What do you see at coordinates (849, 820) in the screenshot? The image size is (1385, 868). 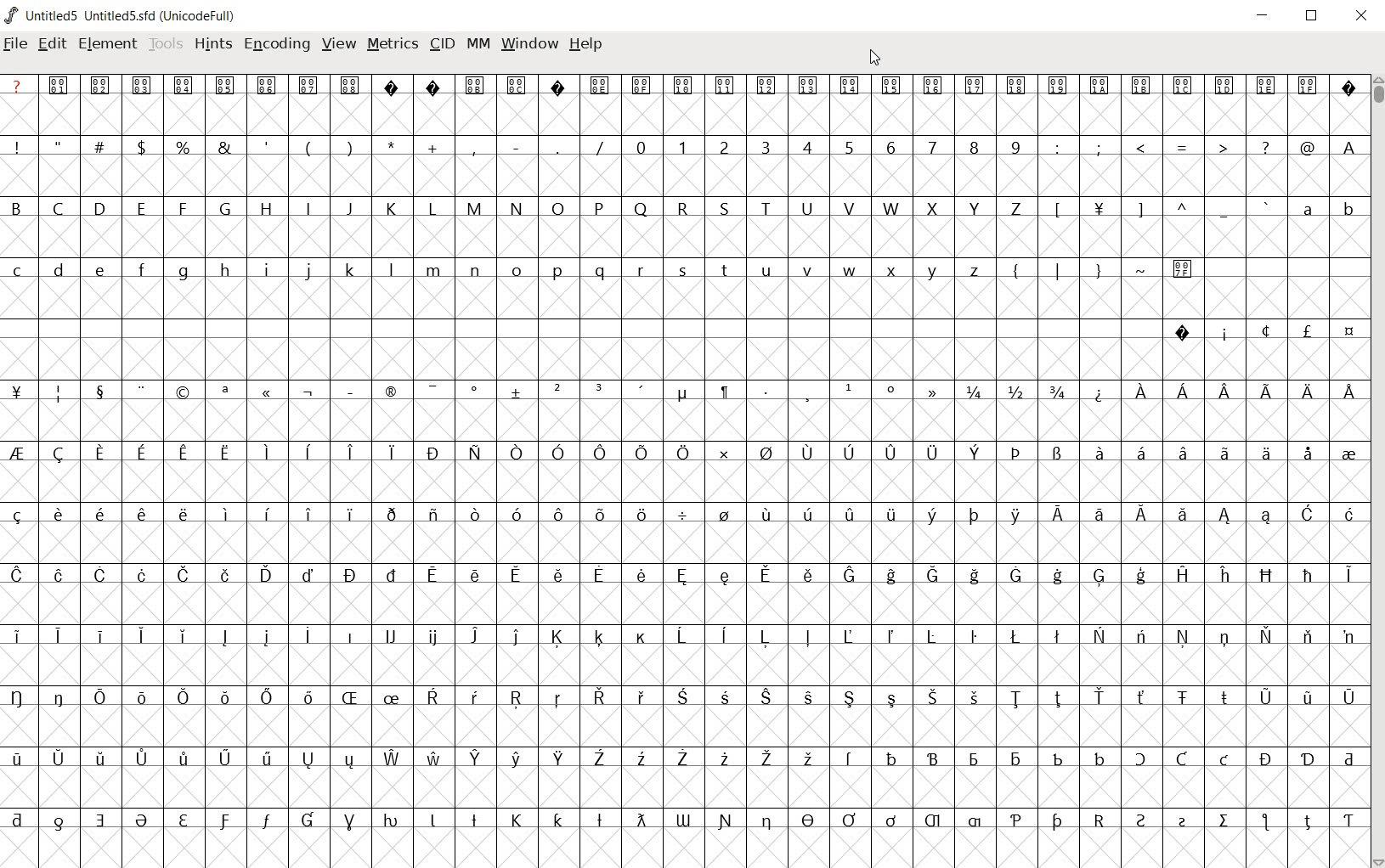 I see `Symbol` at bounding box center [849, 820].